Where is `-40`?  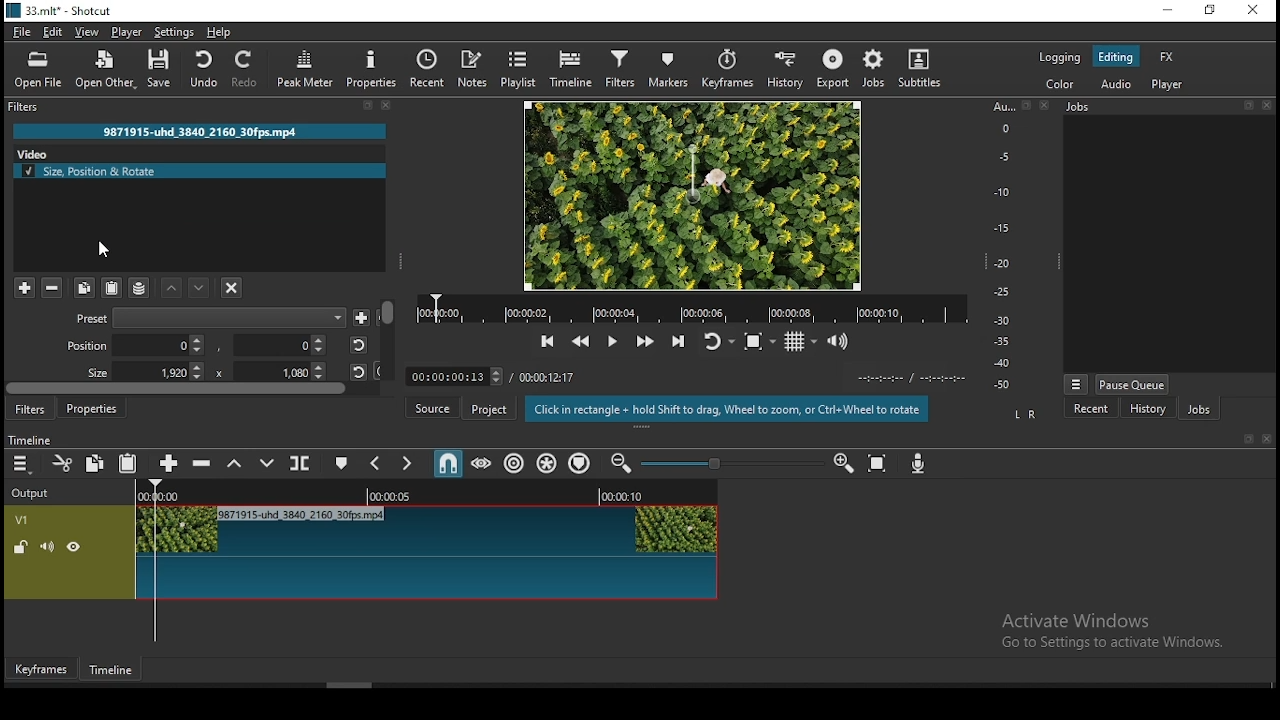
-40 is located at coordinates (1004, 362).